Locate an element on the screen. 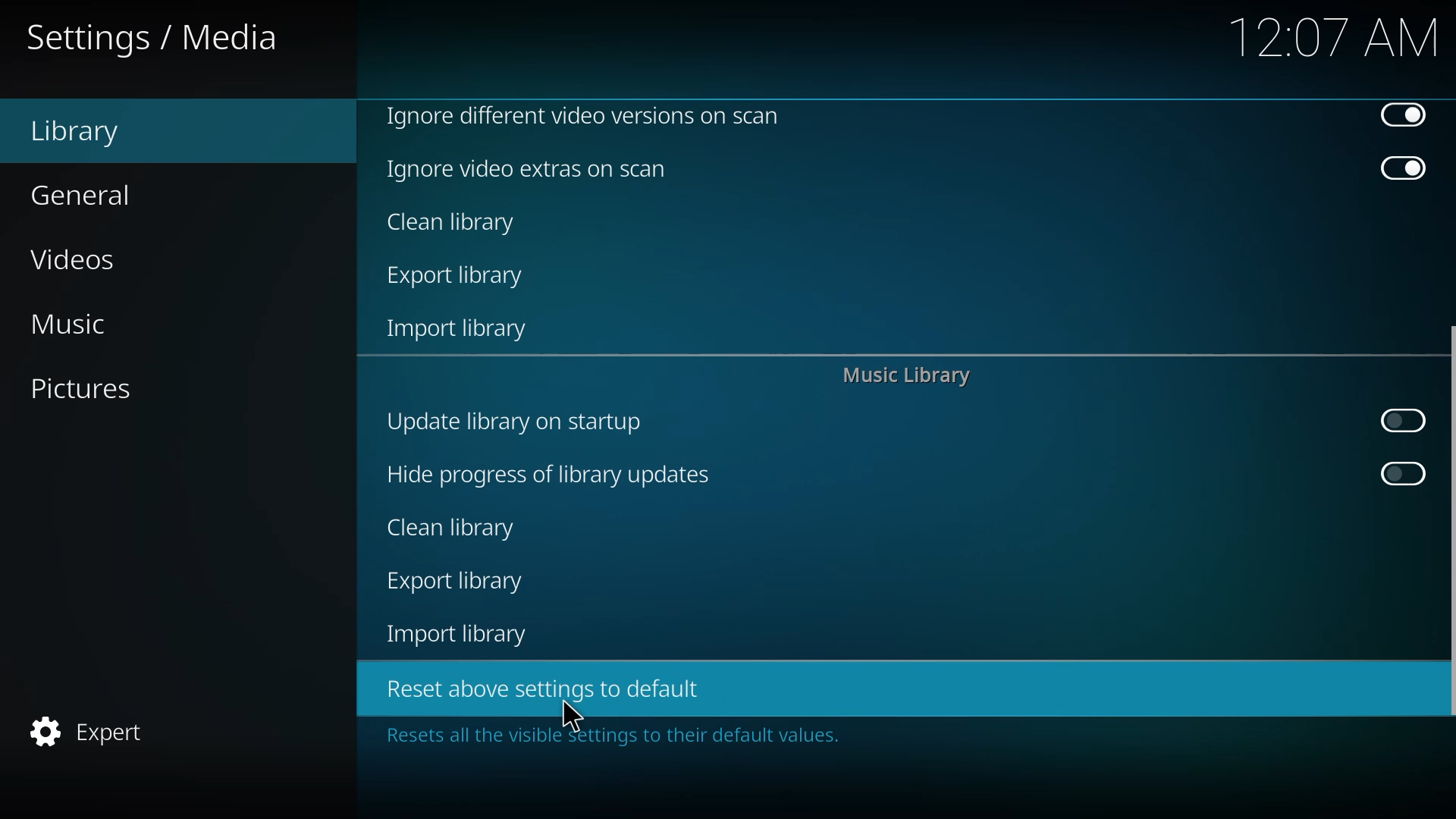 The width and height of the screenshot is (1456, 819). pictures is located at coordinates (78, 388).